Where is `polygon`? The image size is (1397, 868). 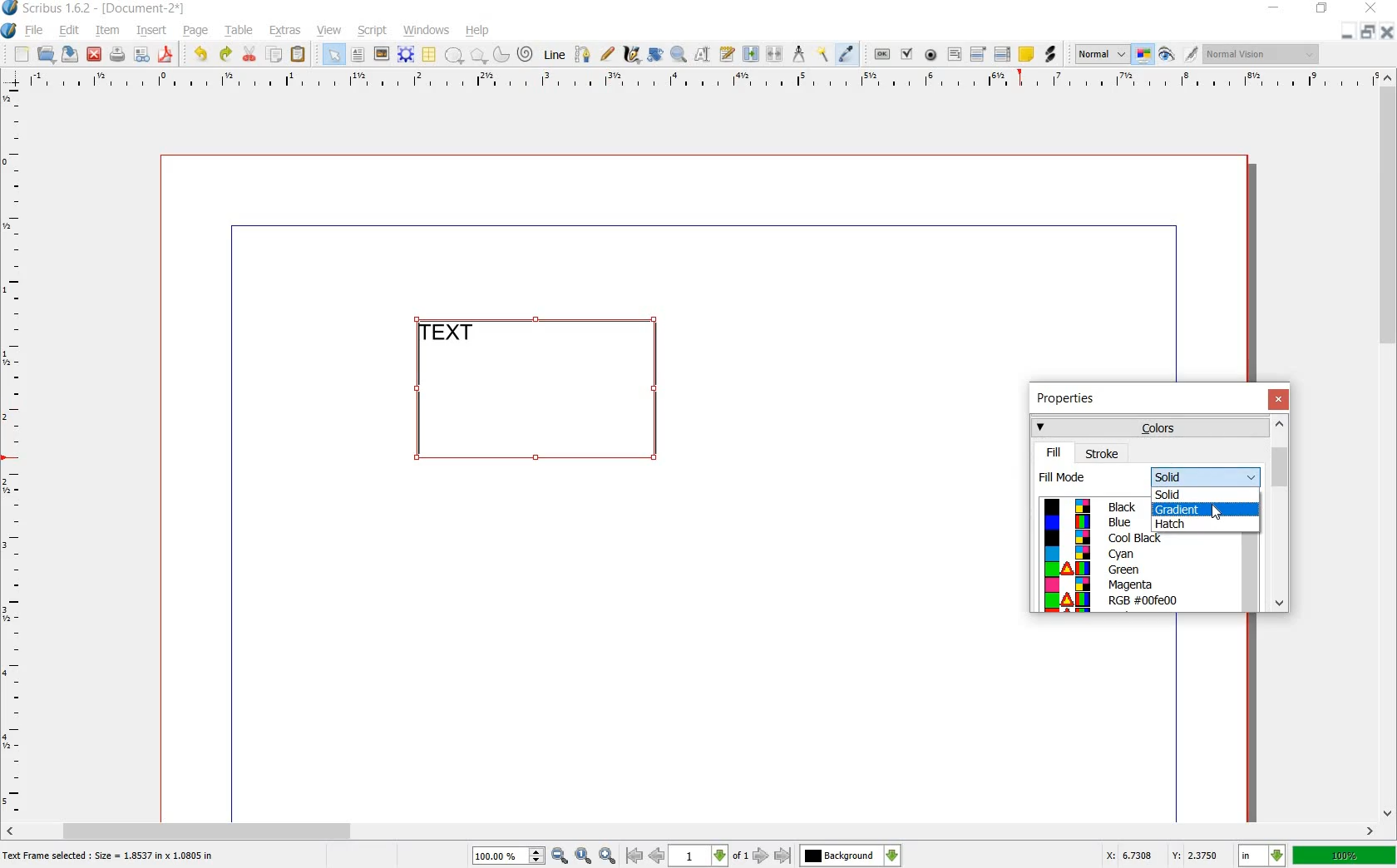 polygon is located at coordinates (476, 55).